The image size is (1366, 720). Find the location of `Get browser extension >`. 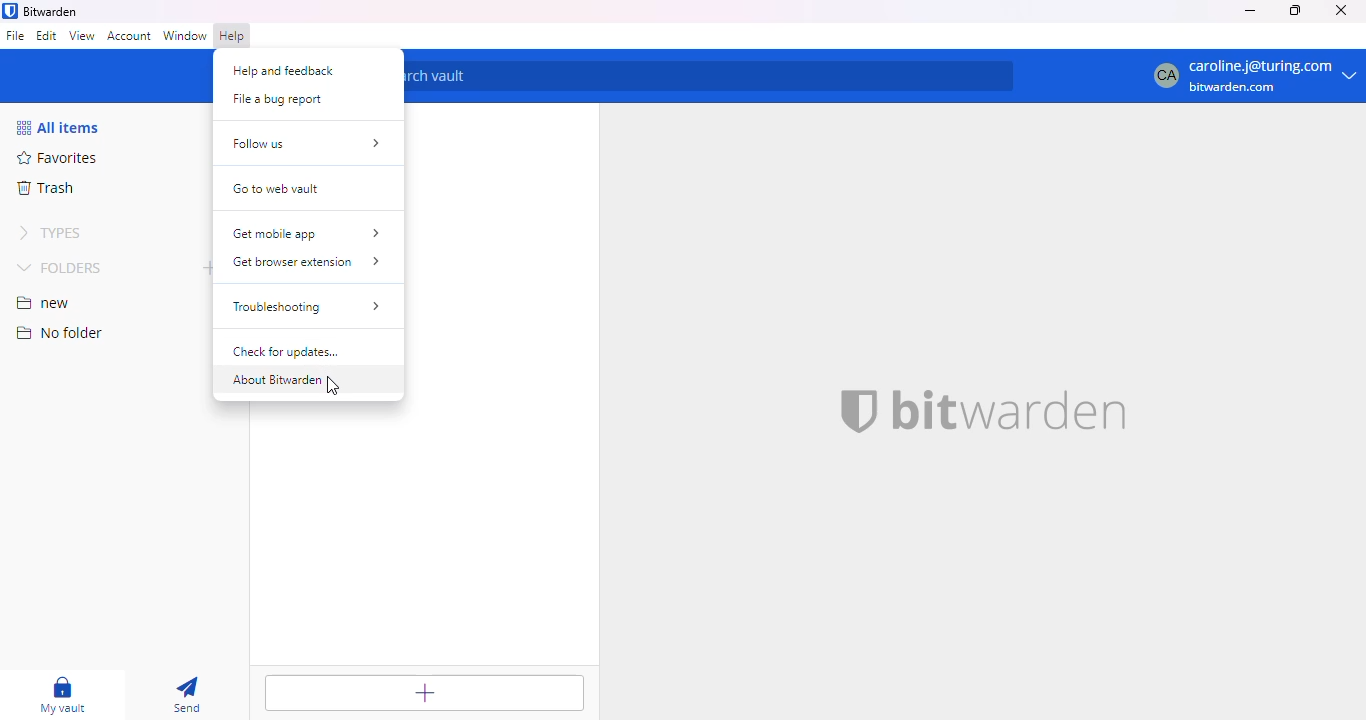

Get browser extension > is located at coordinates (307, 263).